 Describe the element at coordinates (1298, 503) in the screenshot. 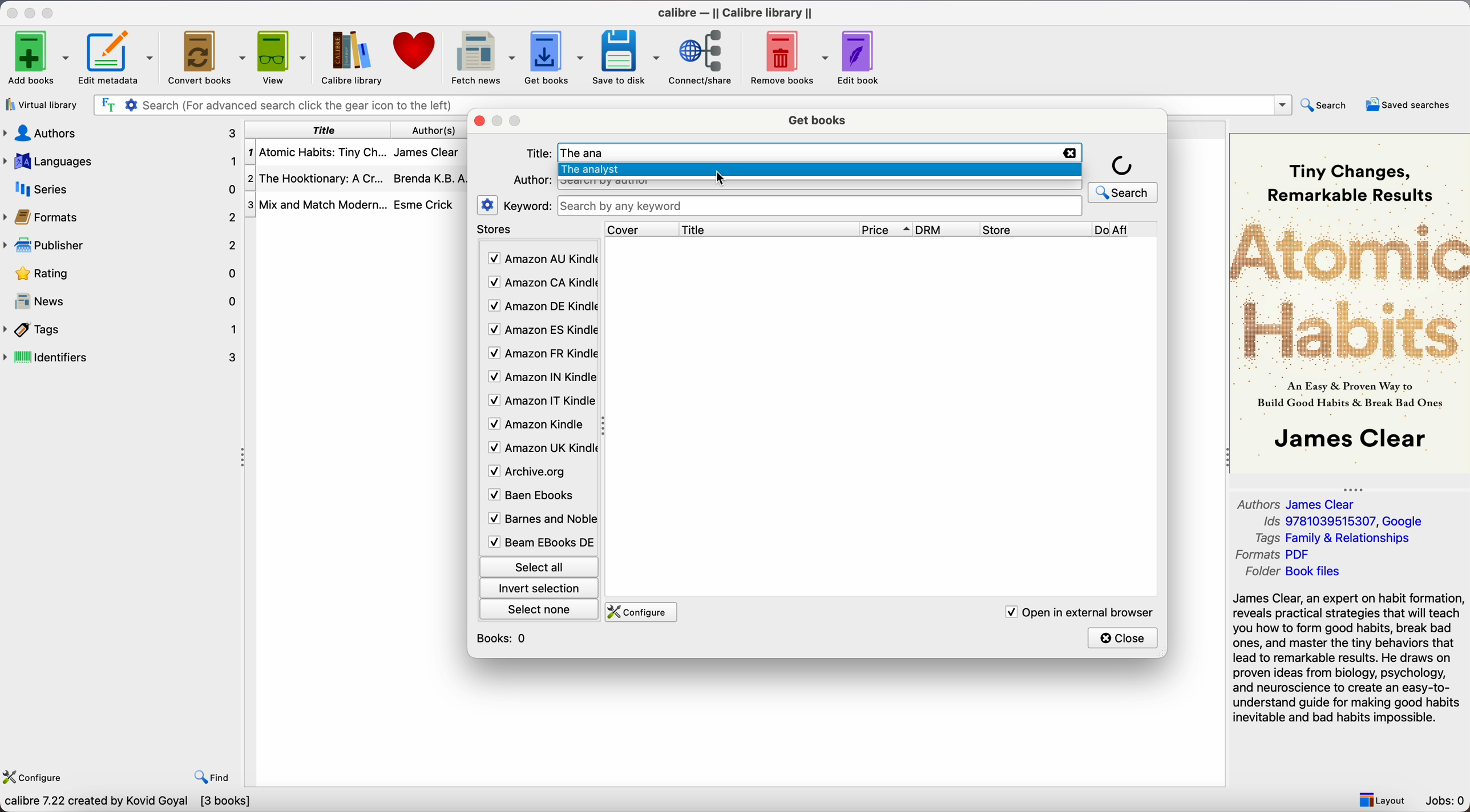

I see `Authors James Clear` at that location.